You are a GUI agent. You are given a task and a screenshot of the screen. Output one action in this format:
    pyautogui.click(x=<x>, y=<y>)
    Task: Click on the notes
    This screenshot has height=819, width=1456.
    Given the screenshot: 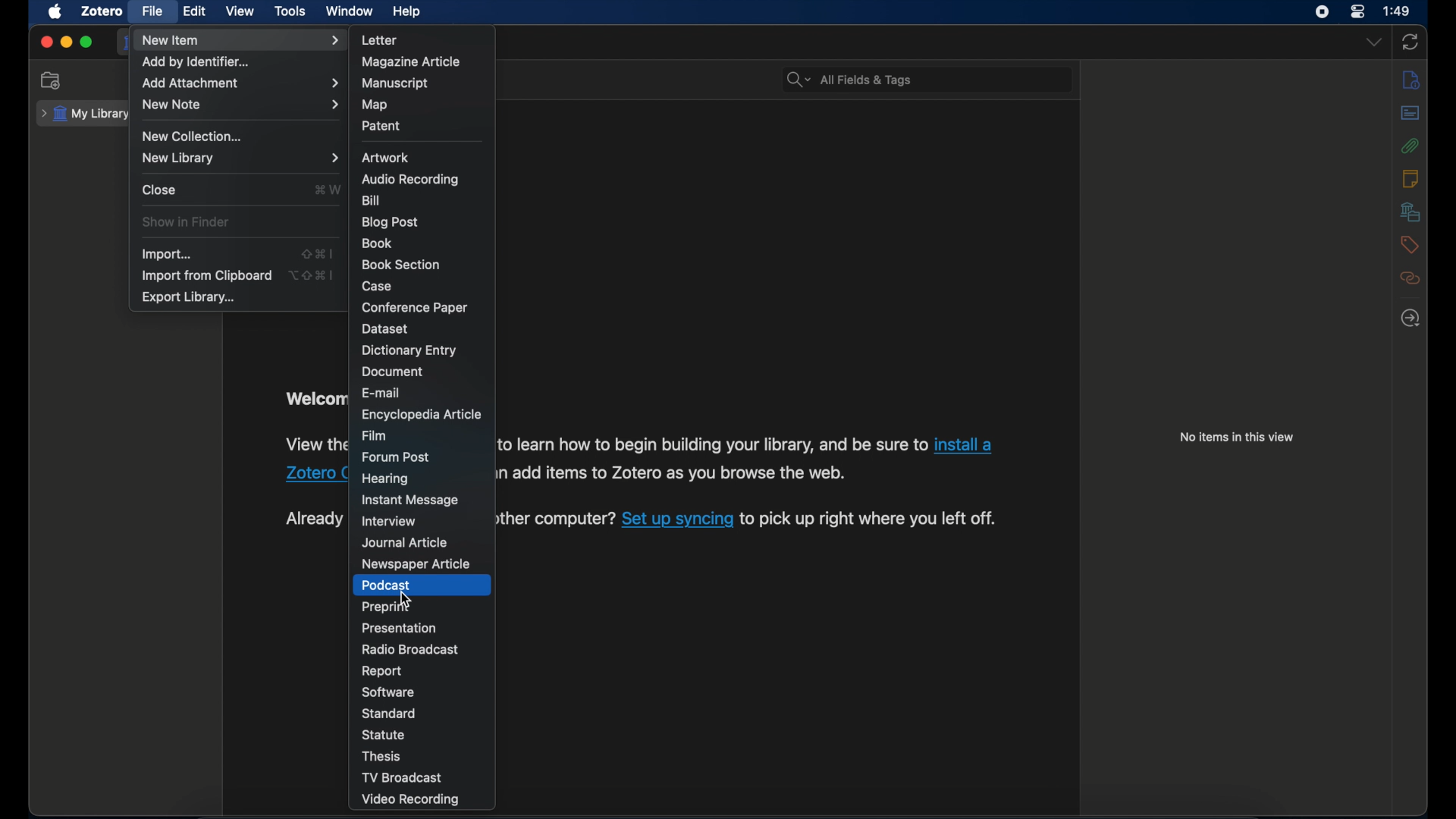 What is the action you would take?
    pyautogui.click(x=1414, y=178)
    